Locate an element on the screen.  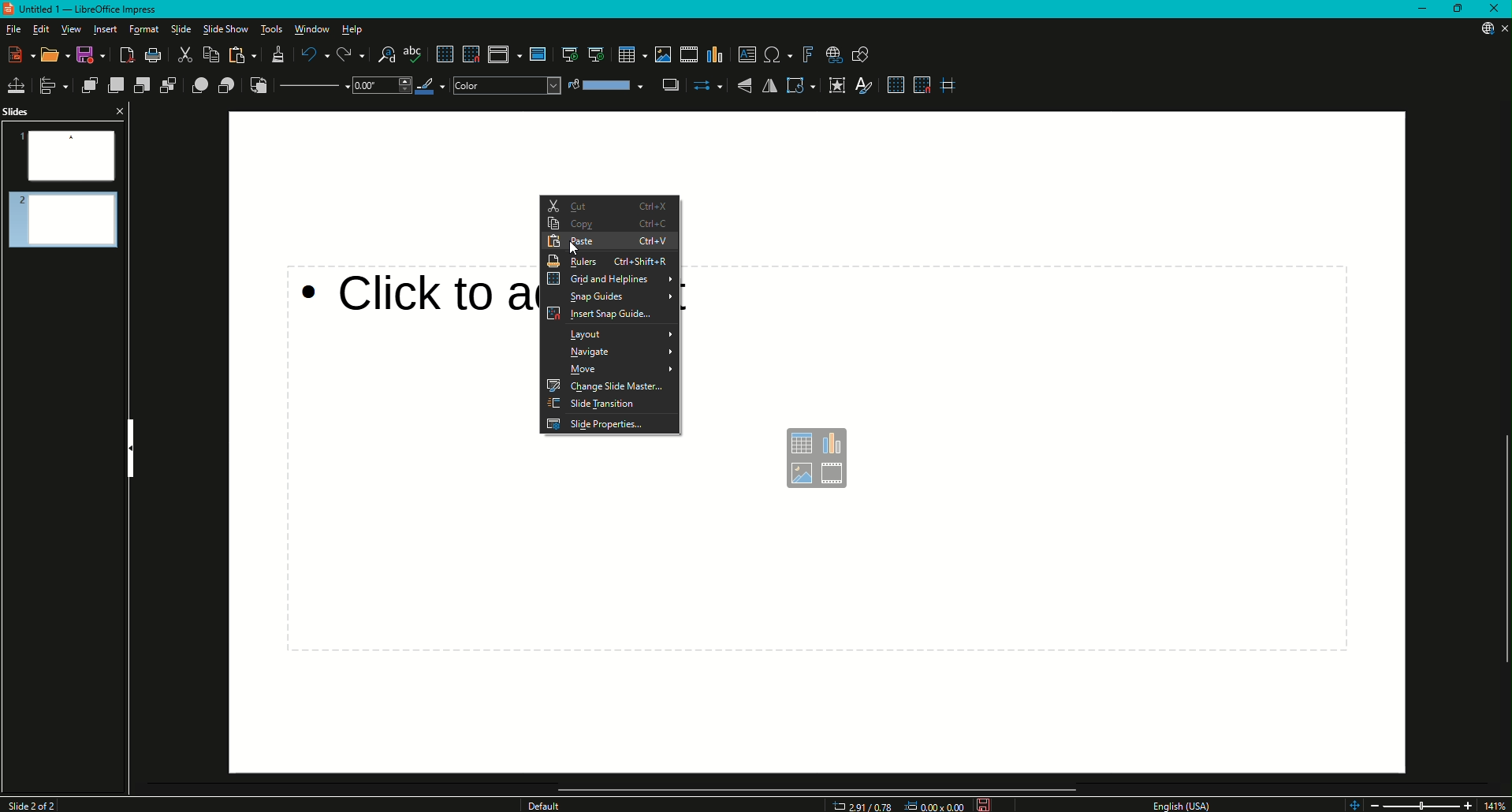
Minimize is located at coordinates (1422, 9).